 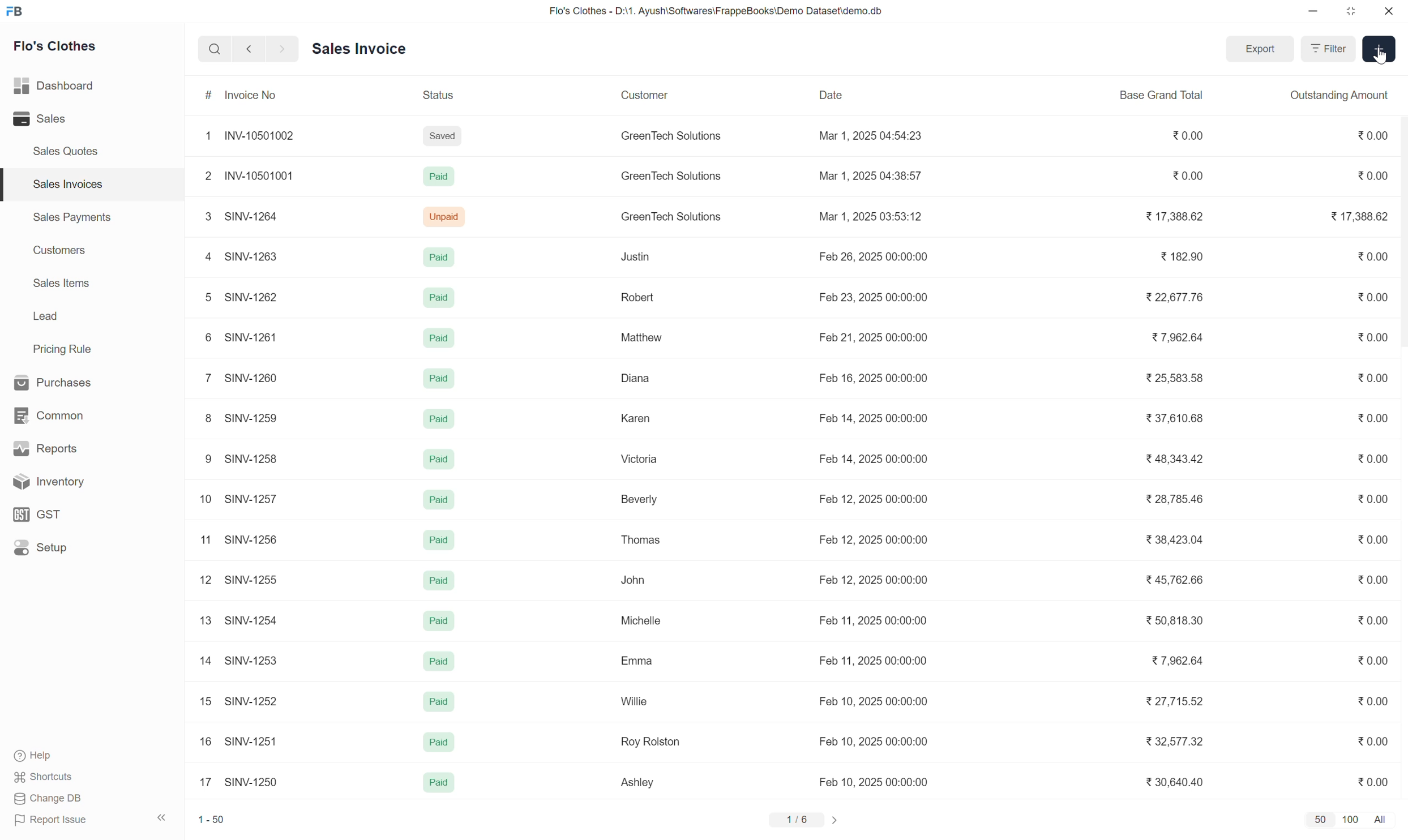 I want to click on SINV-1259, so click(x=251, y=421).